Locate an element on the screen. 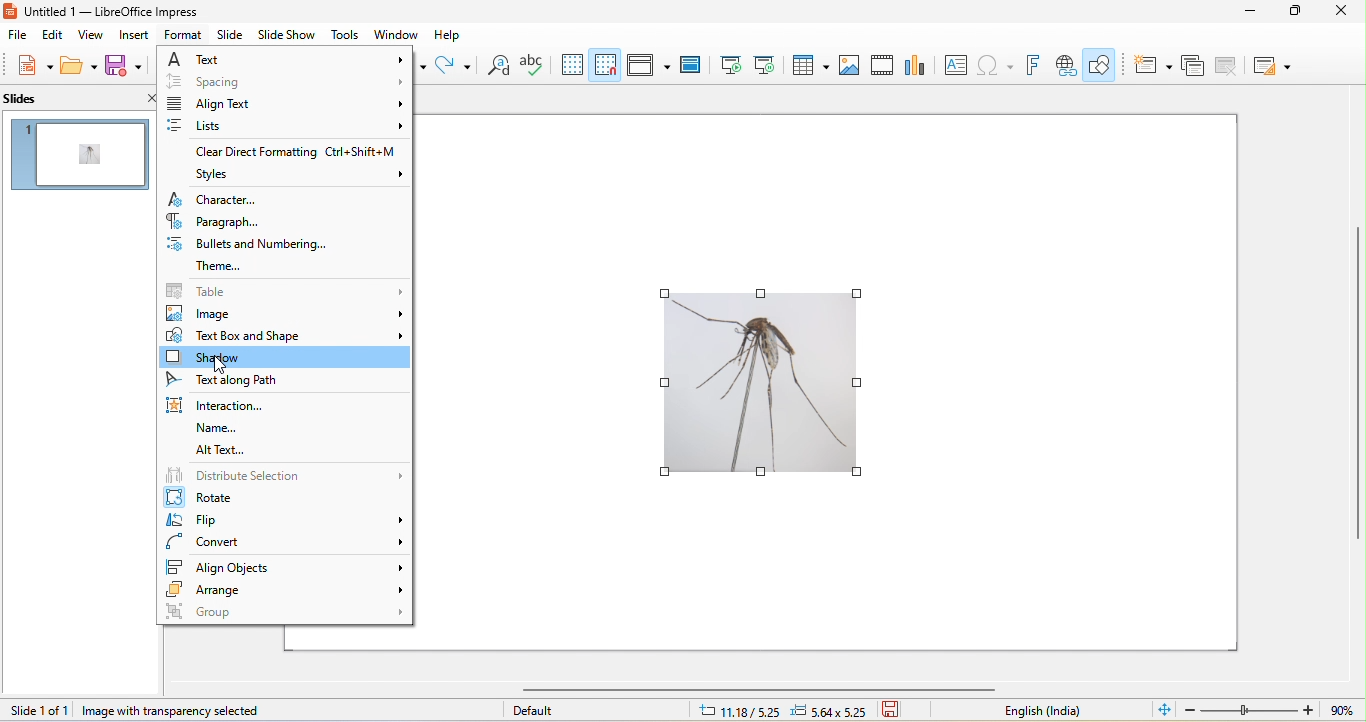 Image resolution: width=1366 pixels, height=722 pixels. chart is located at coordinates (915, 66).